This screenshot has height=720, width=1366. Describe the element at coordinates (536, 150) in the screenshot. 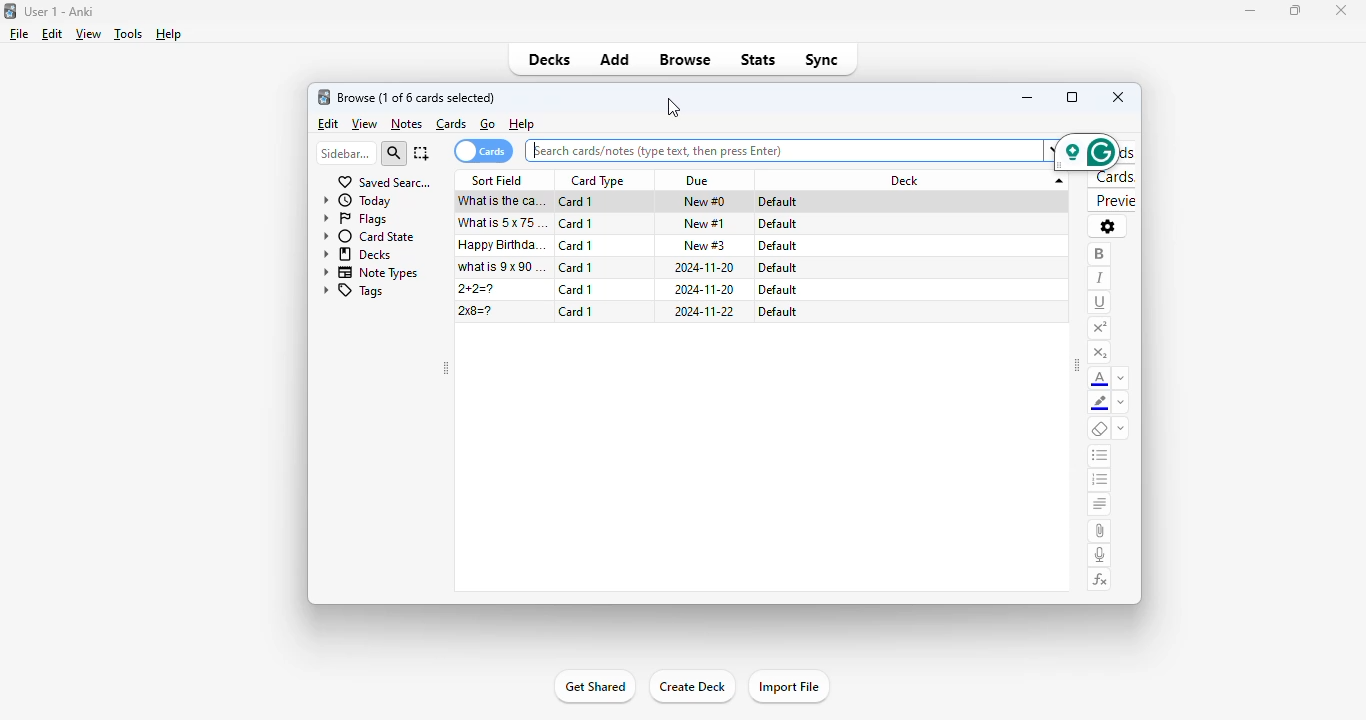

I see `typing` at that location.